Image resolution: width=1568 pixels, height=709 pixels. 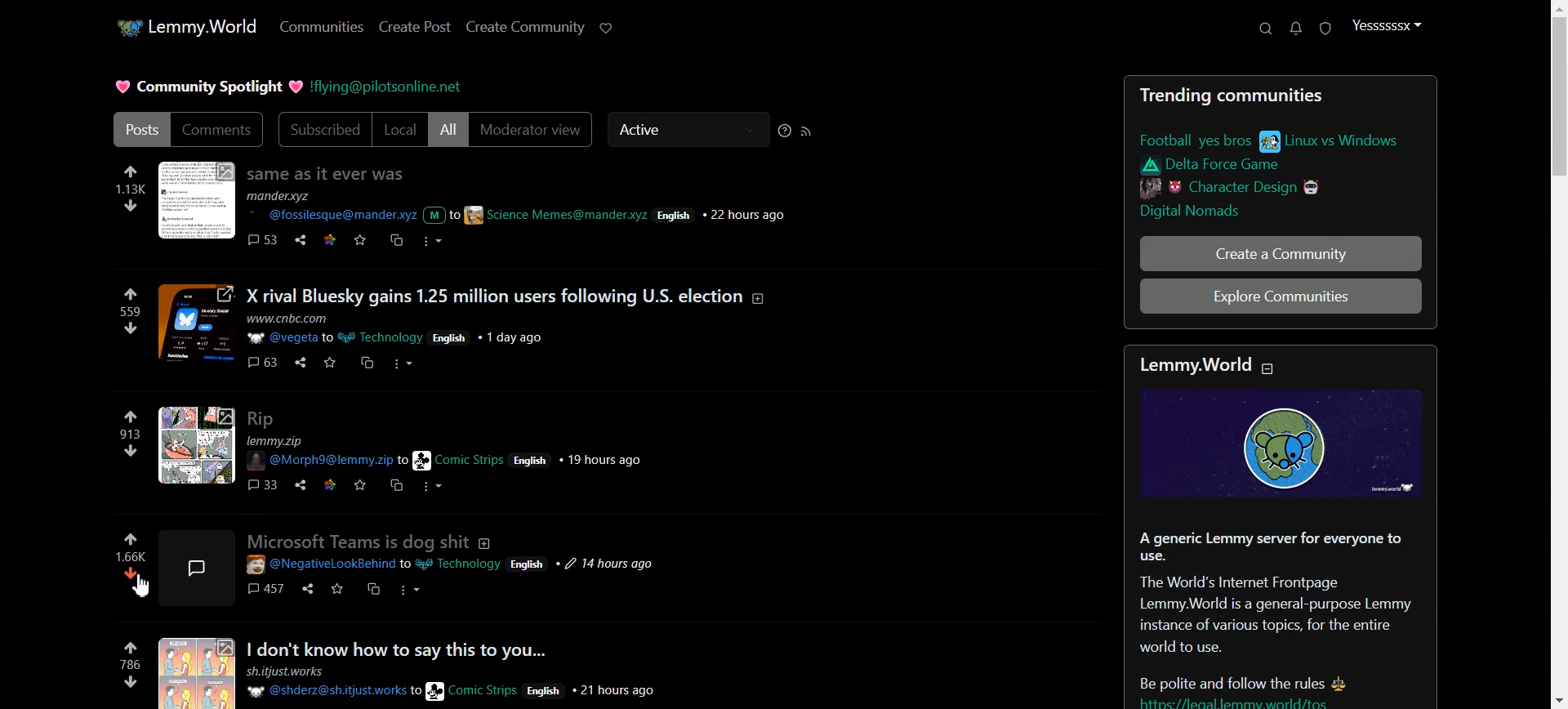 What do you see at coordinates (370, 542) in the screenshot?
I see `posts` at bounding box center [370, 542].